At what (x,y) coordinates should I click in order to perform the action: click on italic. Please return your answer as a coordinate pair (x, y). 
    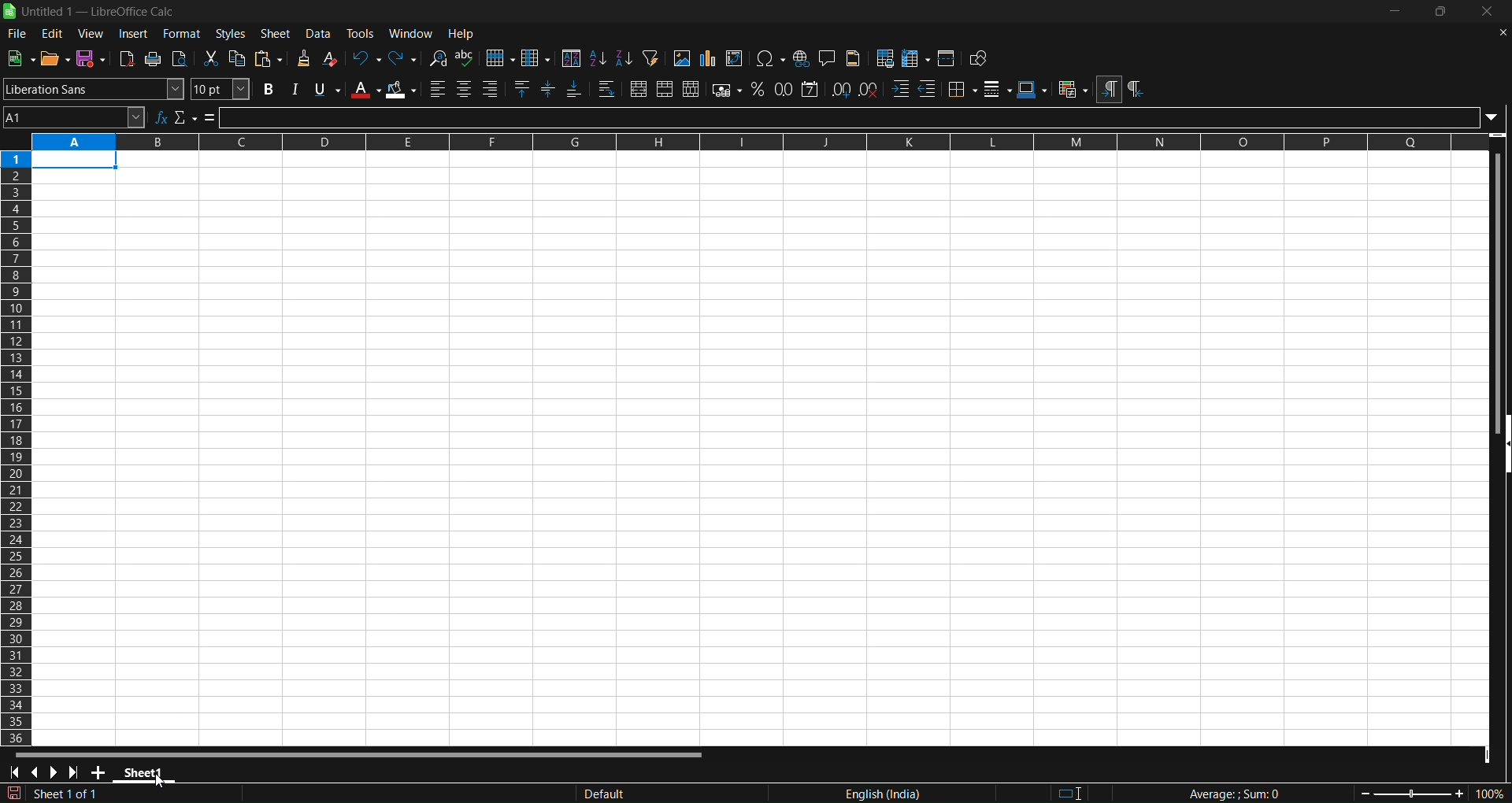
    Looking at the image, I should click on (294, 89).